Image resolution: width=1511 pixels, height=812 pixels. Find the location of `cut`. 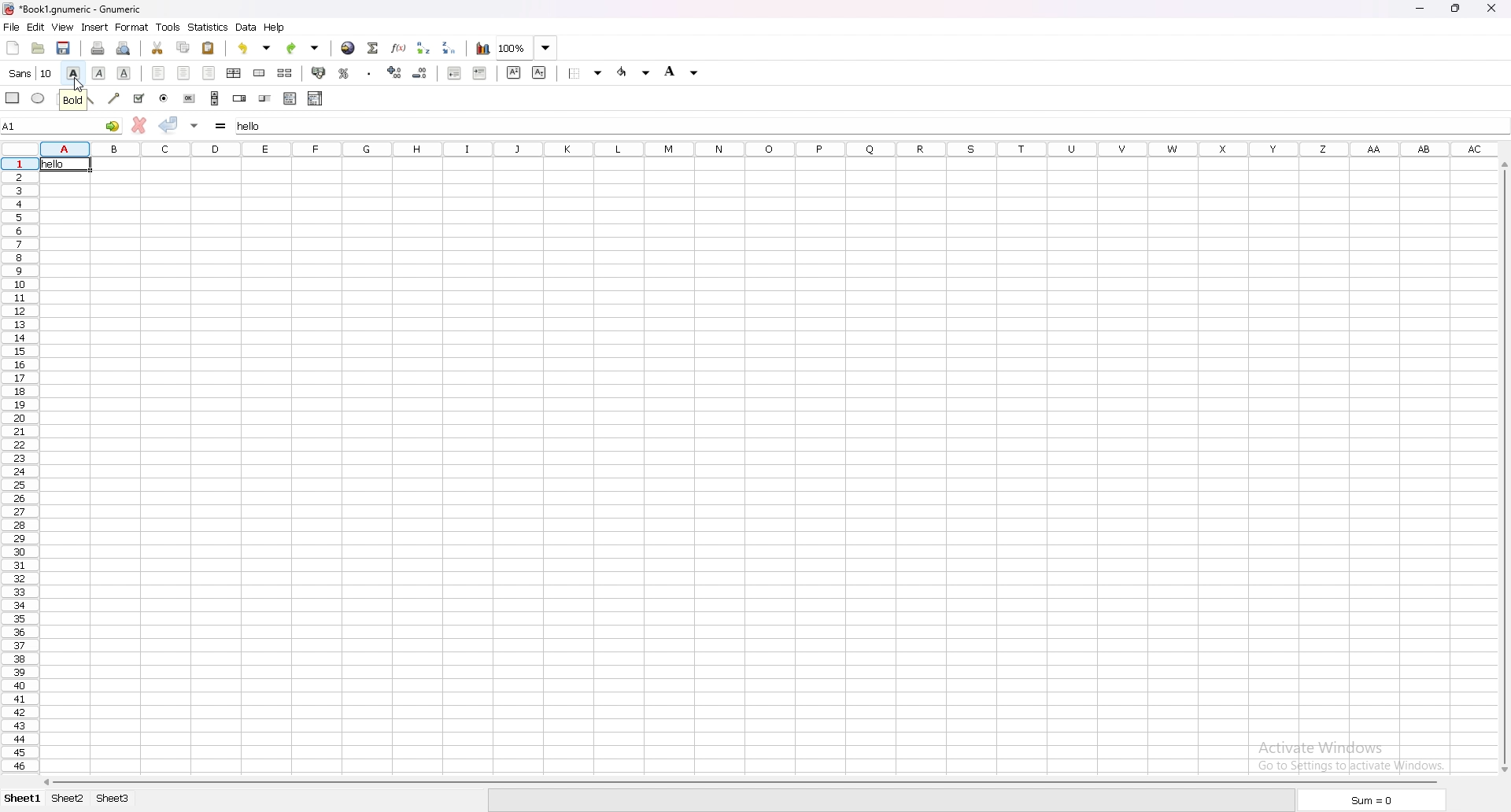

cut is located at coordinates (158, 48).